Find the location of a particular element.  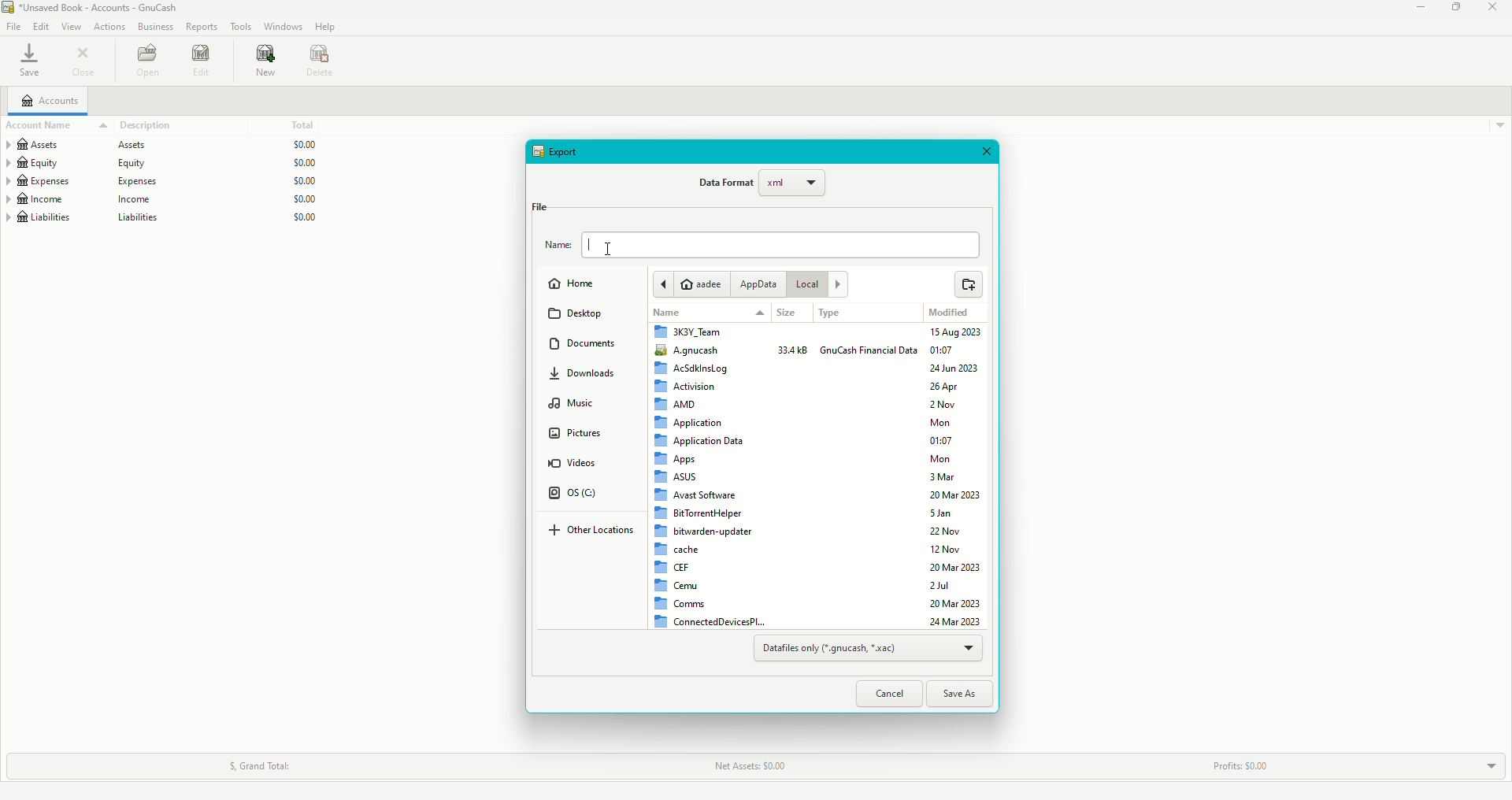

Close is located at coordinates (991, 153).